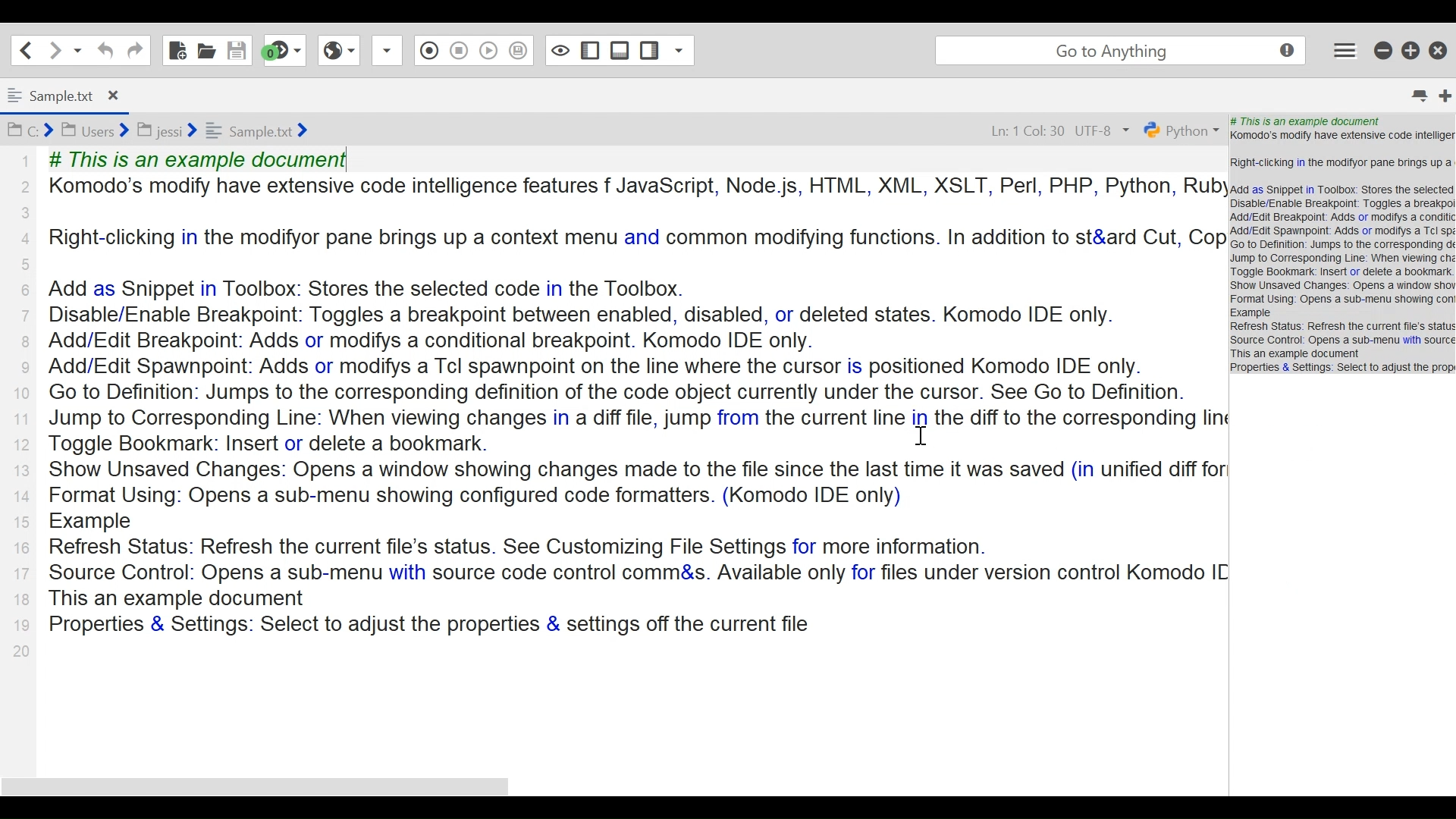 The width and height of the screenshot is (1456, 819). Describe the element at coordinates (1118, 50) in the screenshot. I see `go to anything` at that location.